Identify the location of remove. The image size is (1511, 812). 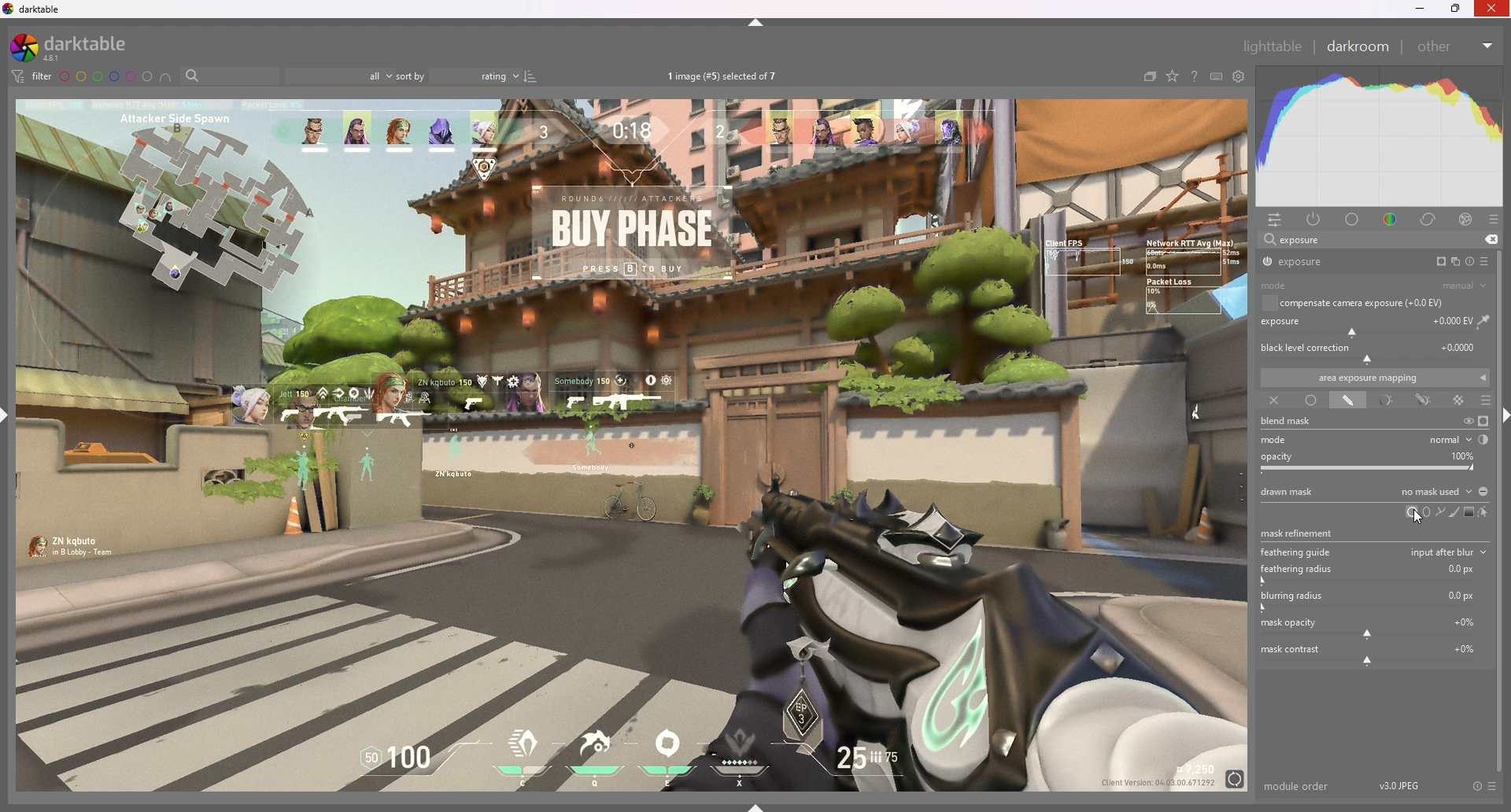
(1491, 240).